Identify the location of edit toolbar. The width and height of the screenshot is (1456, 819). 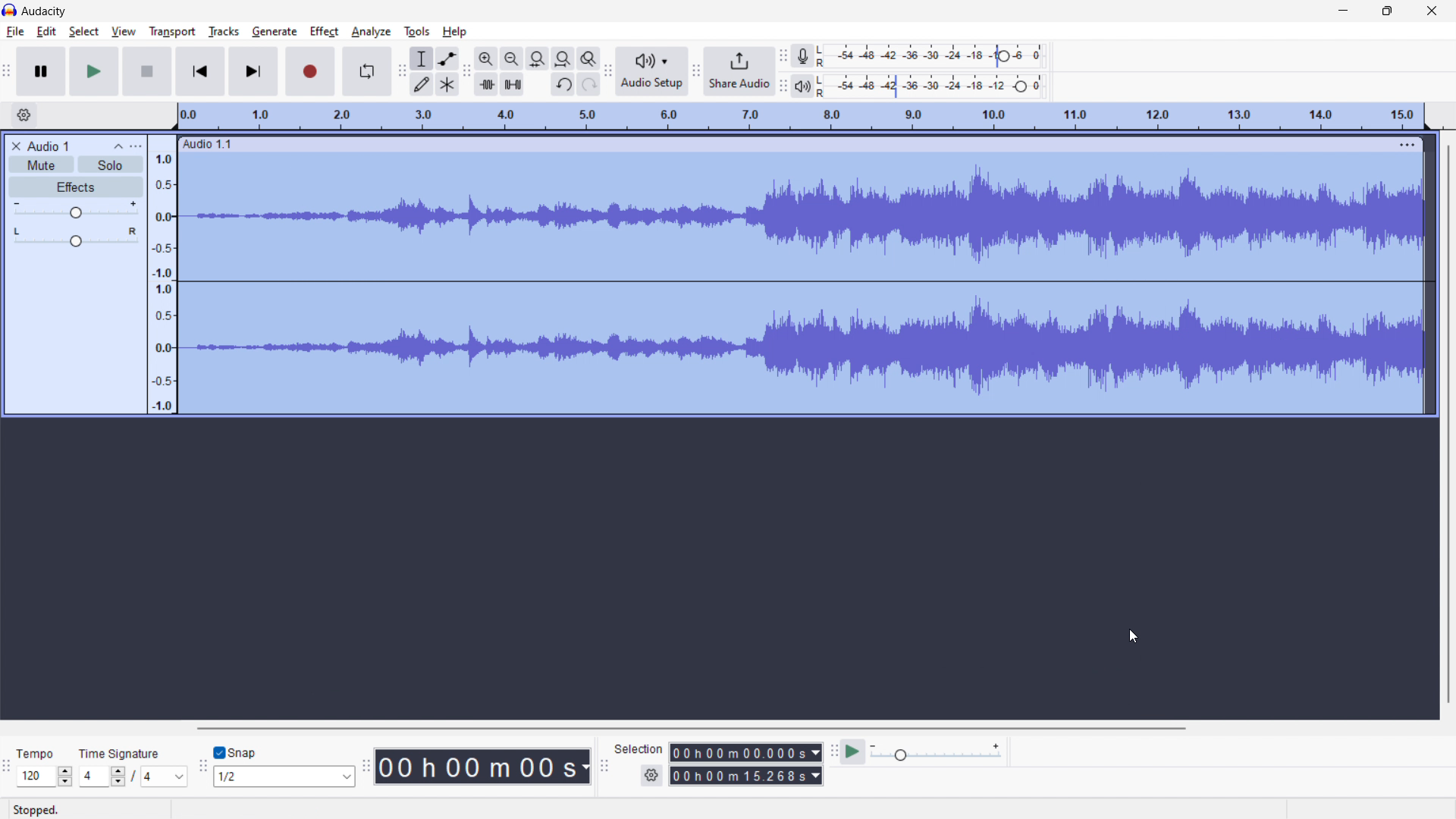
(466, 71).